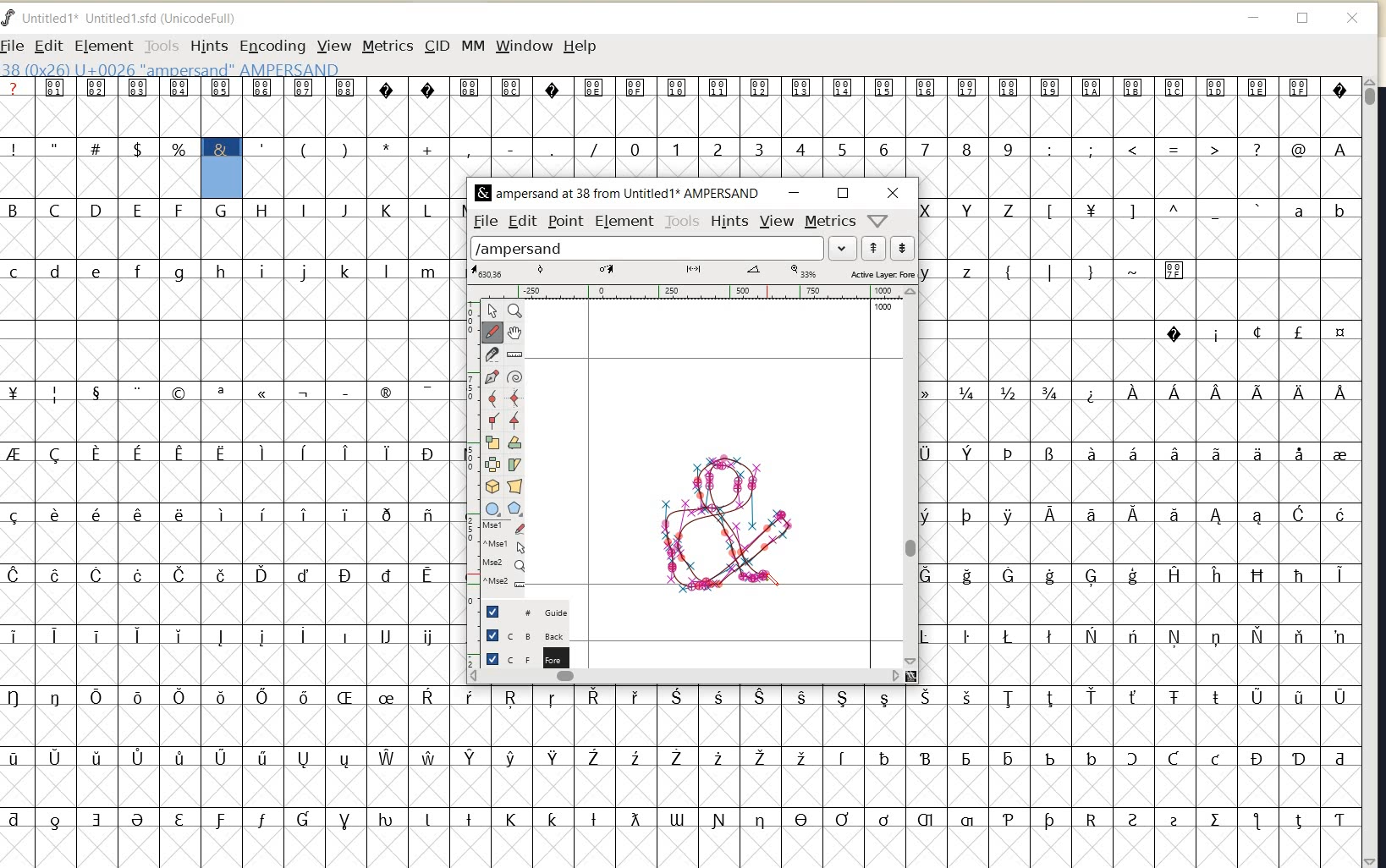 The width and height of the screenshot is (1386, 868). Describe the element at coordinates (101, 46) in the screenshot. I see `ELEMENT` at that location.